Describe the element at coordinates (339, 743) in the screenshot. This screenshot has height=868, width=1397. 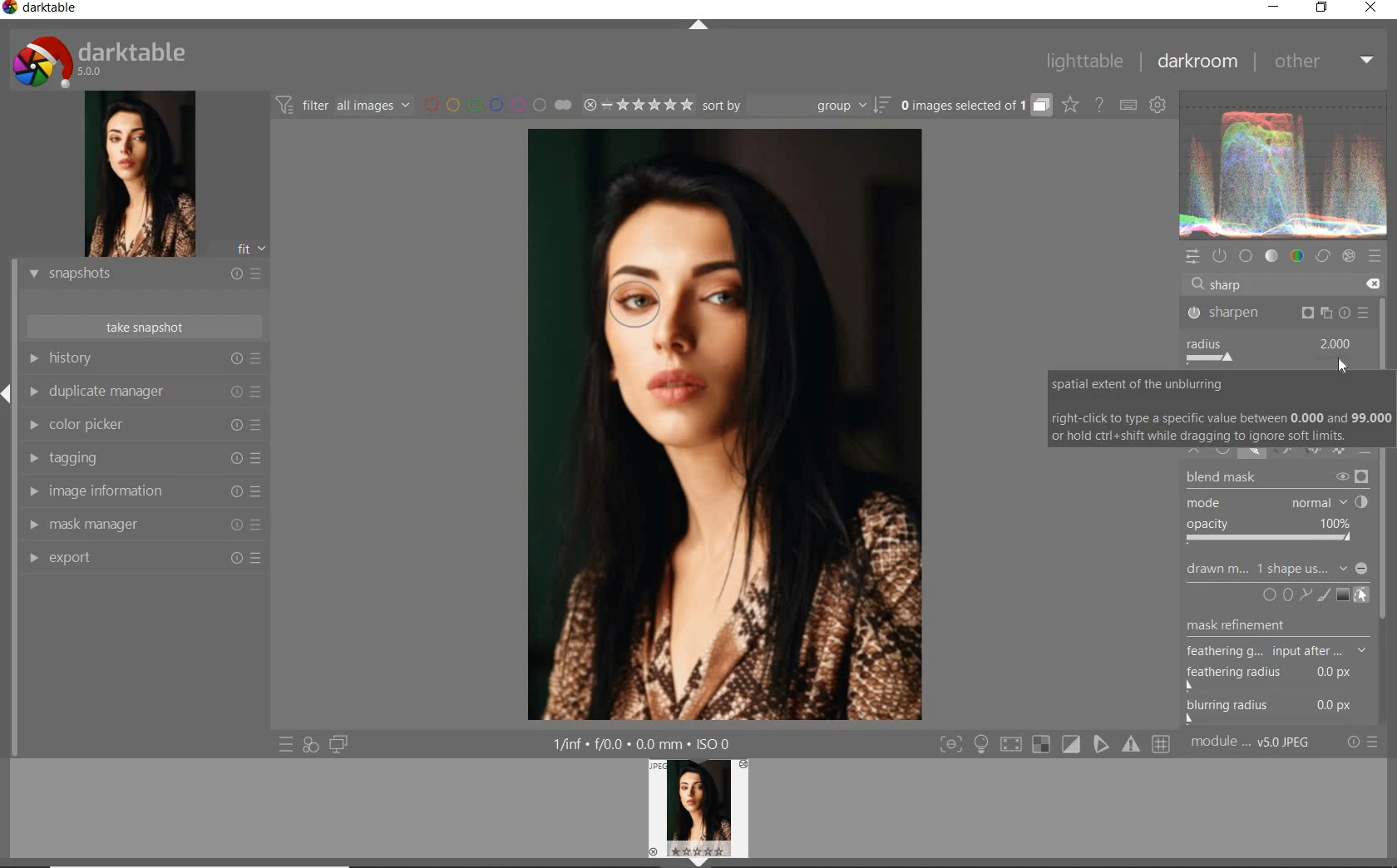
I see `display a second darkroom image window` at that location.